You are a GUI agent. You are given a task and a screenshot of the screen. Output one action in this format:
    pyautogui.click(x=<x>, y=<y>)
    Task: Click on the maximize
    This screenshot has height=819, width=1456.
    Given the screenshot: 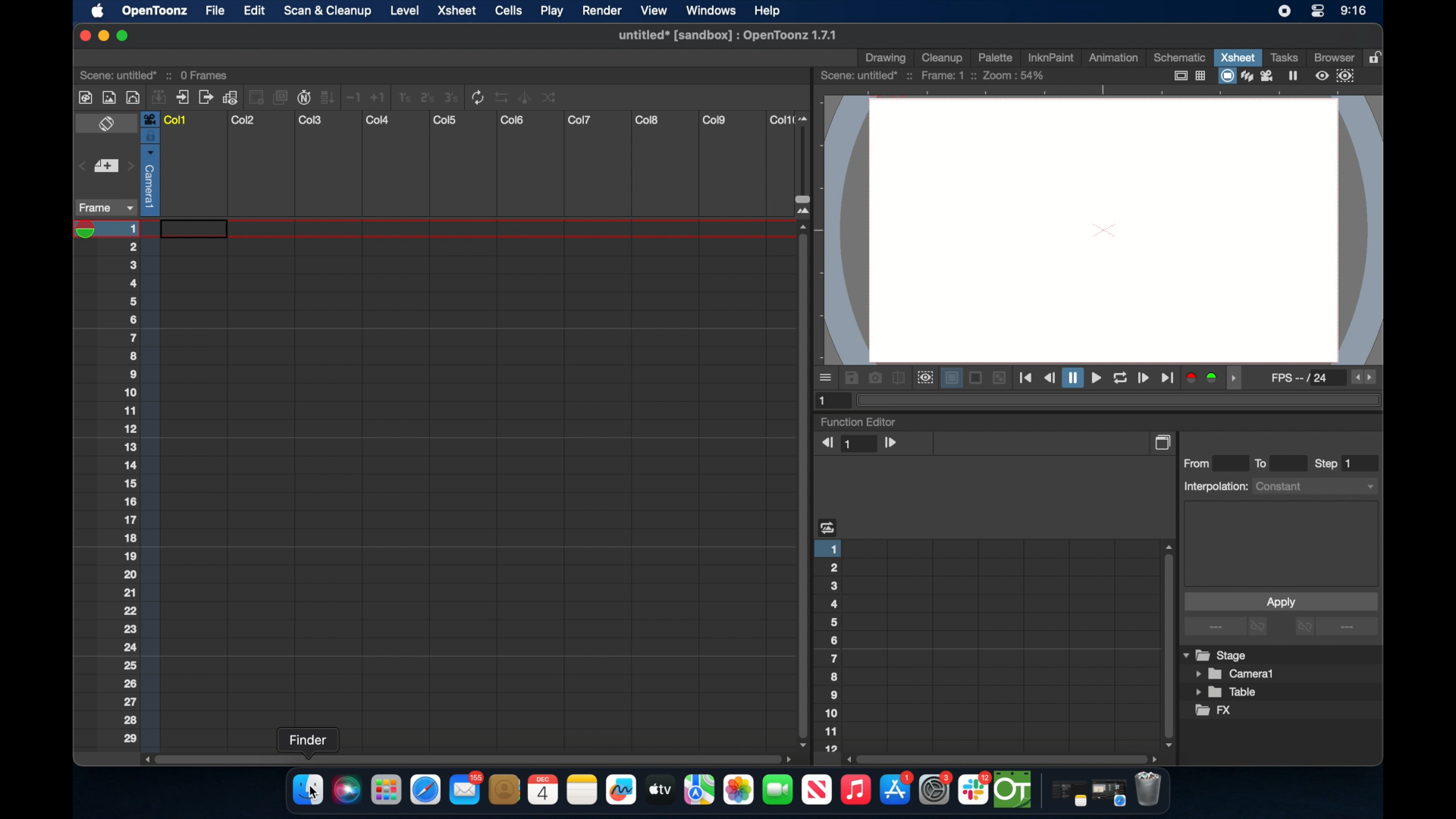 What is the action you would take?
    pyautogui.click(x=124, y=36)
    